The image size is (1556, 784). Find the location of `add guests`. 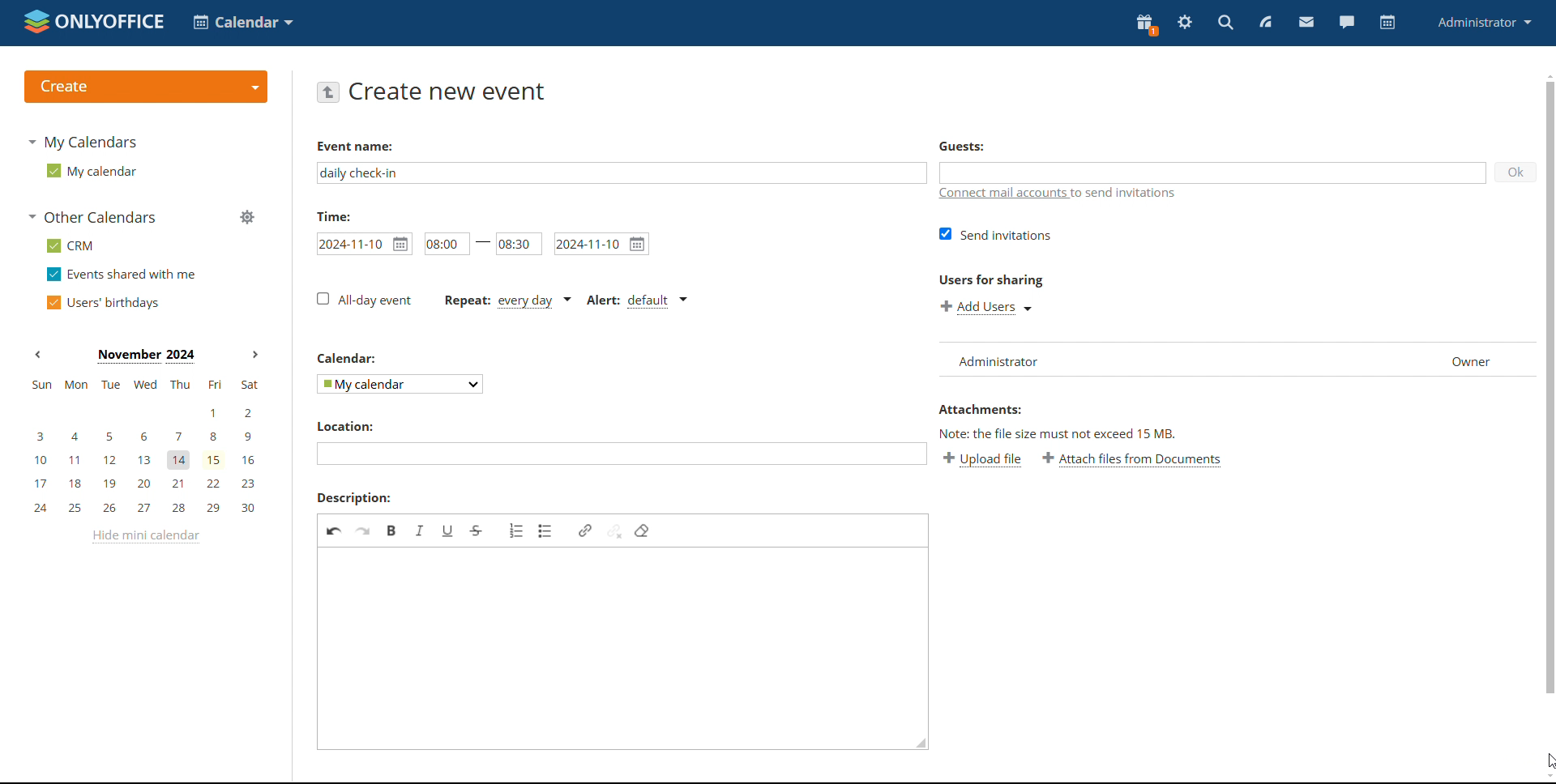

add guests is located at coordinates (1213, 173).